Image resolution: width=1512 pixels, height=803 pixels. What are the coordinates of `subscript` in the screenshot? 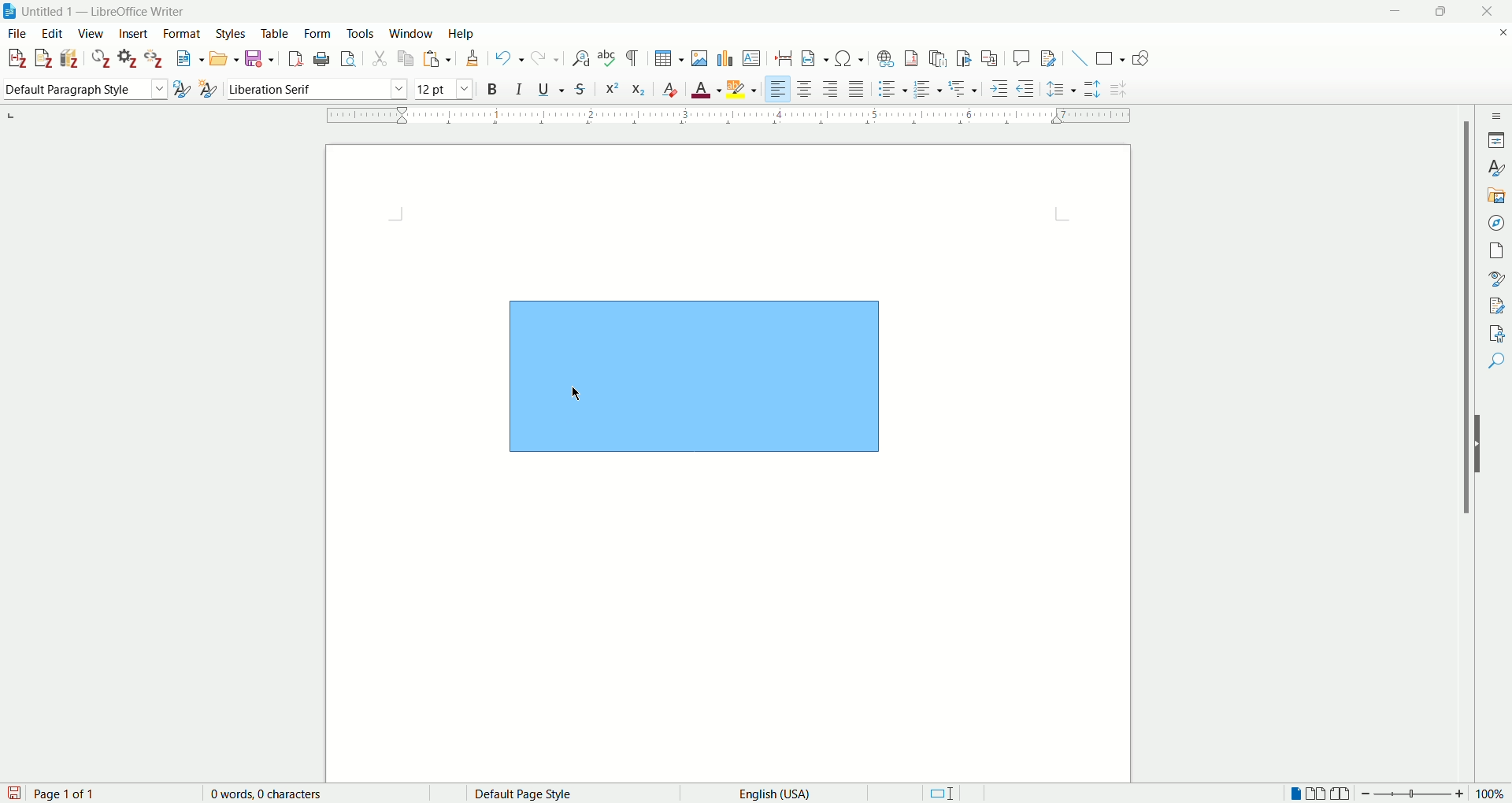 It's located at (639, 89).